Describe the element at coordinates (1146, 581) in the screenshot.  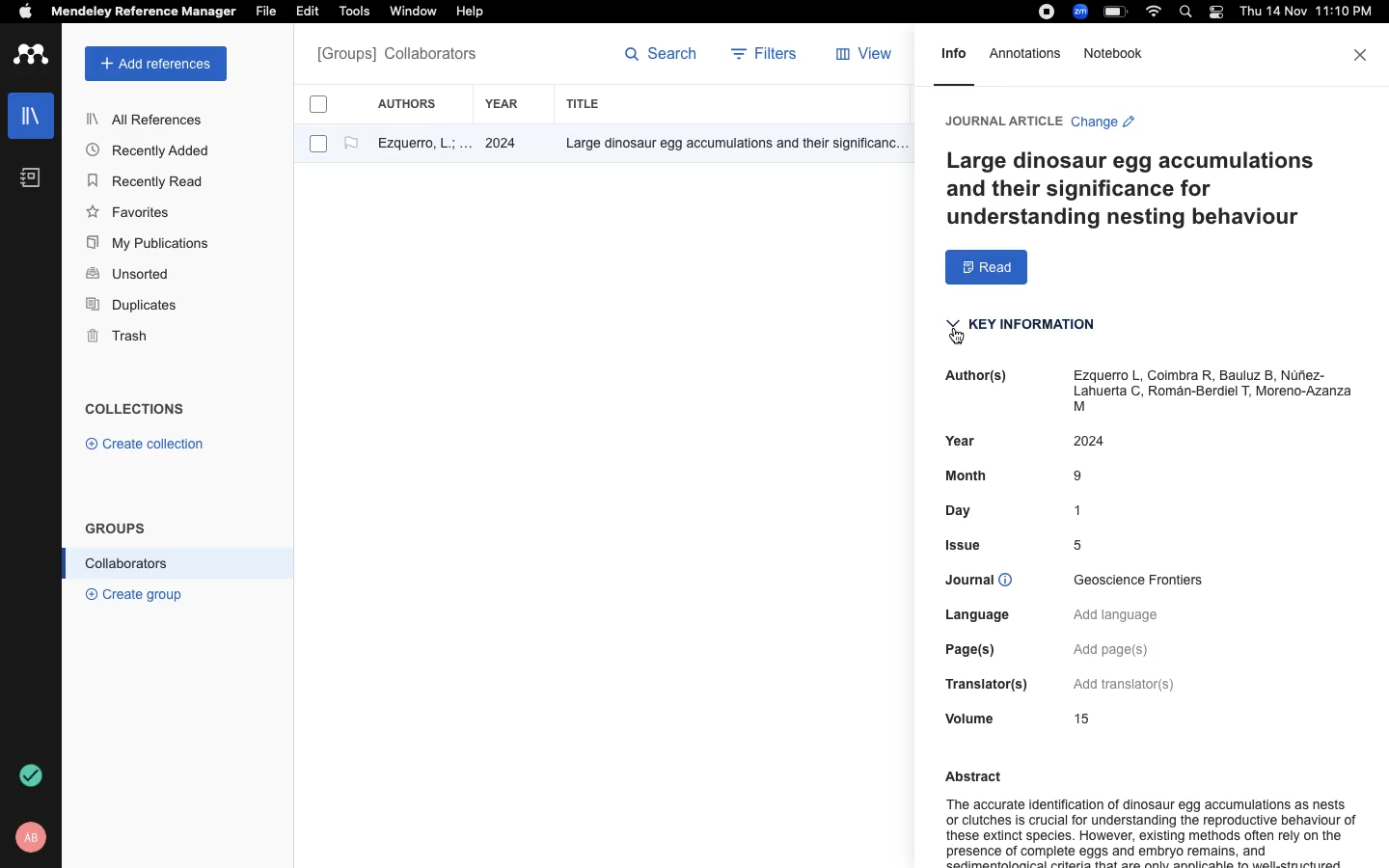
I see `Geoscience Frontiers` at that location.